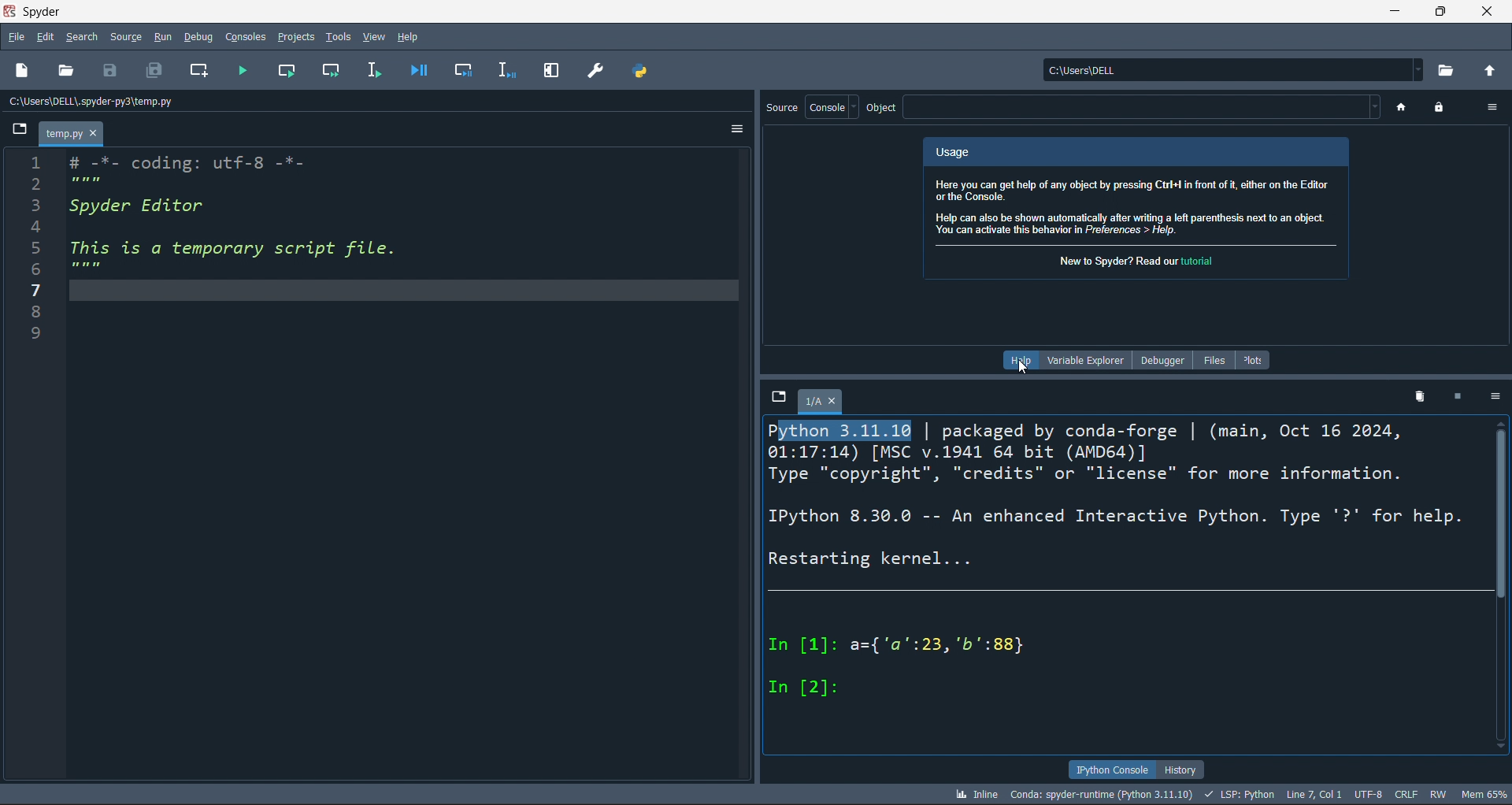  I want to click on console, so click(835, 106).